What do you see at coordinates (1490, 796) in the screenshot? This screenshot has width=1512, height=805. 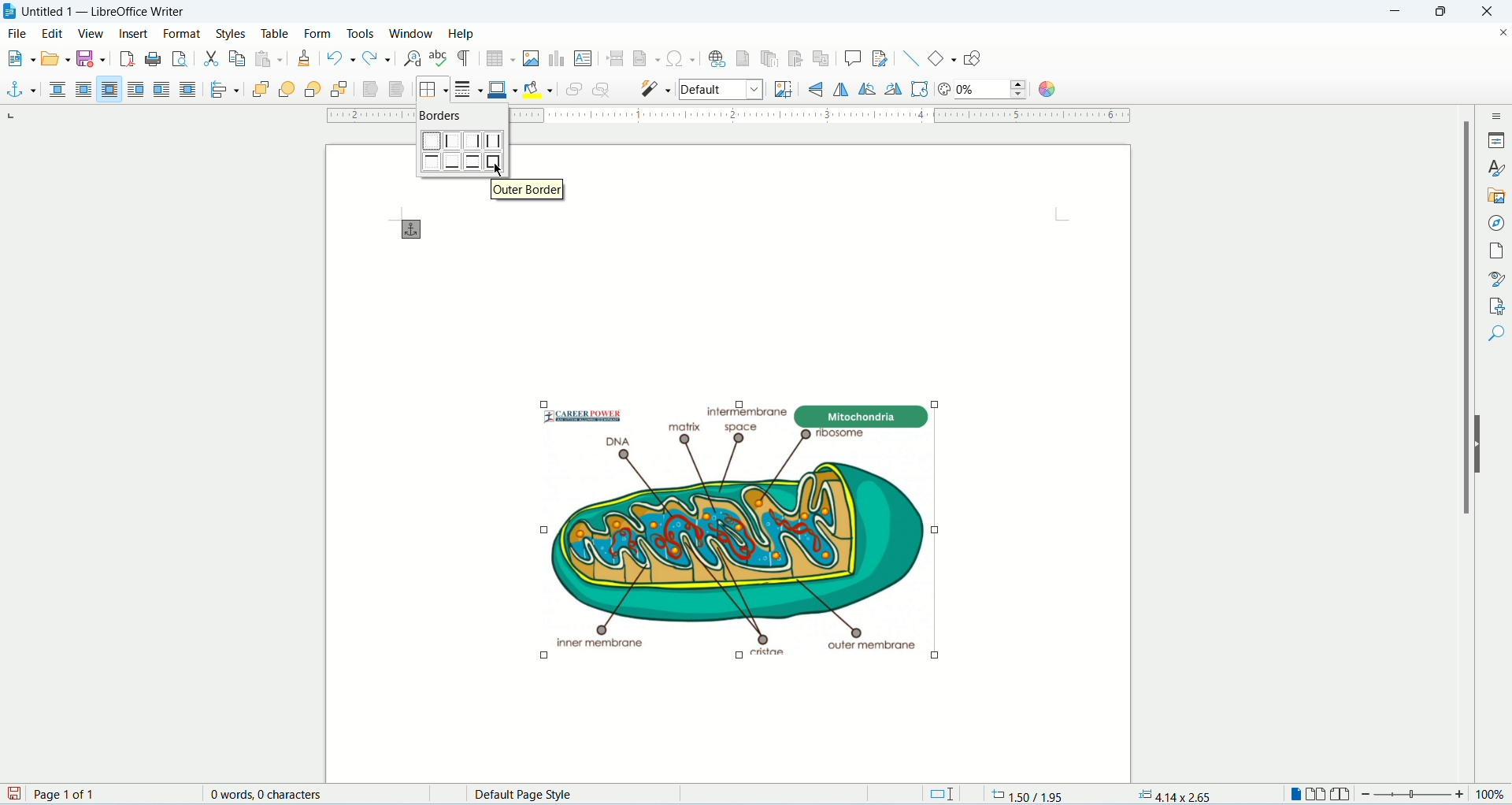 I see `zoom percent` at bounding box center [1490, 796].